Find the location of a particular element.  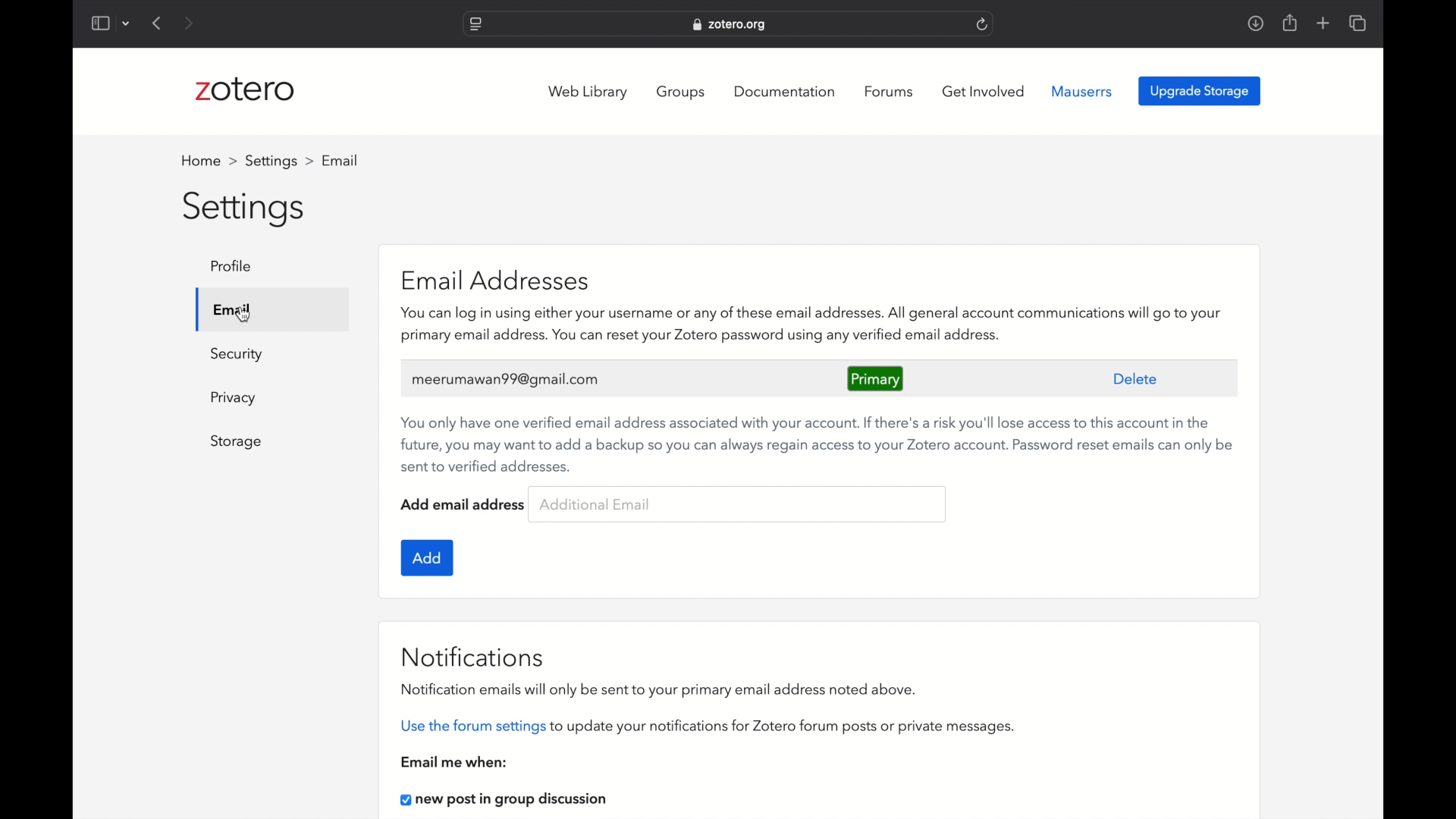

settings is located at coordinates (246, 210).